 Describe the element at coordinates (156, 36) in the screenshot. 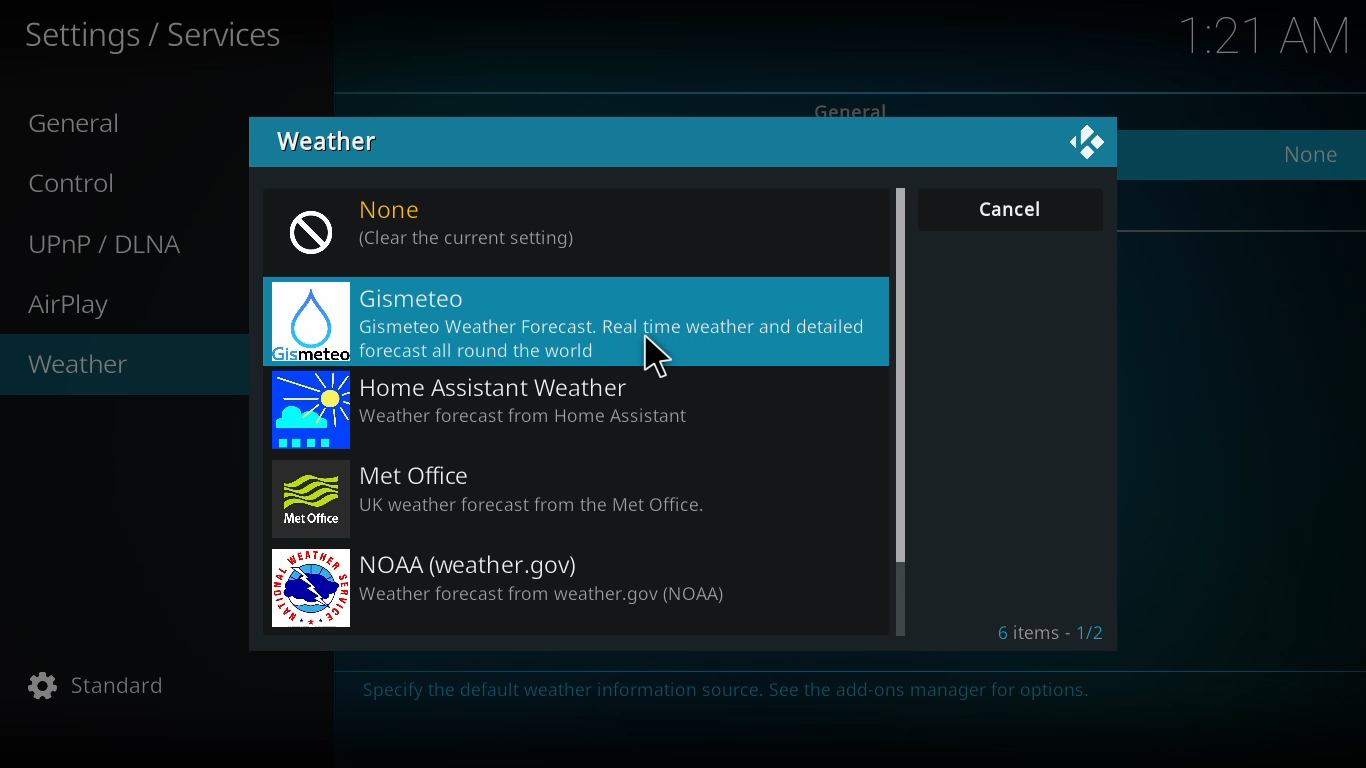

I see `settings` at that location.